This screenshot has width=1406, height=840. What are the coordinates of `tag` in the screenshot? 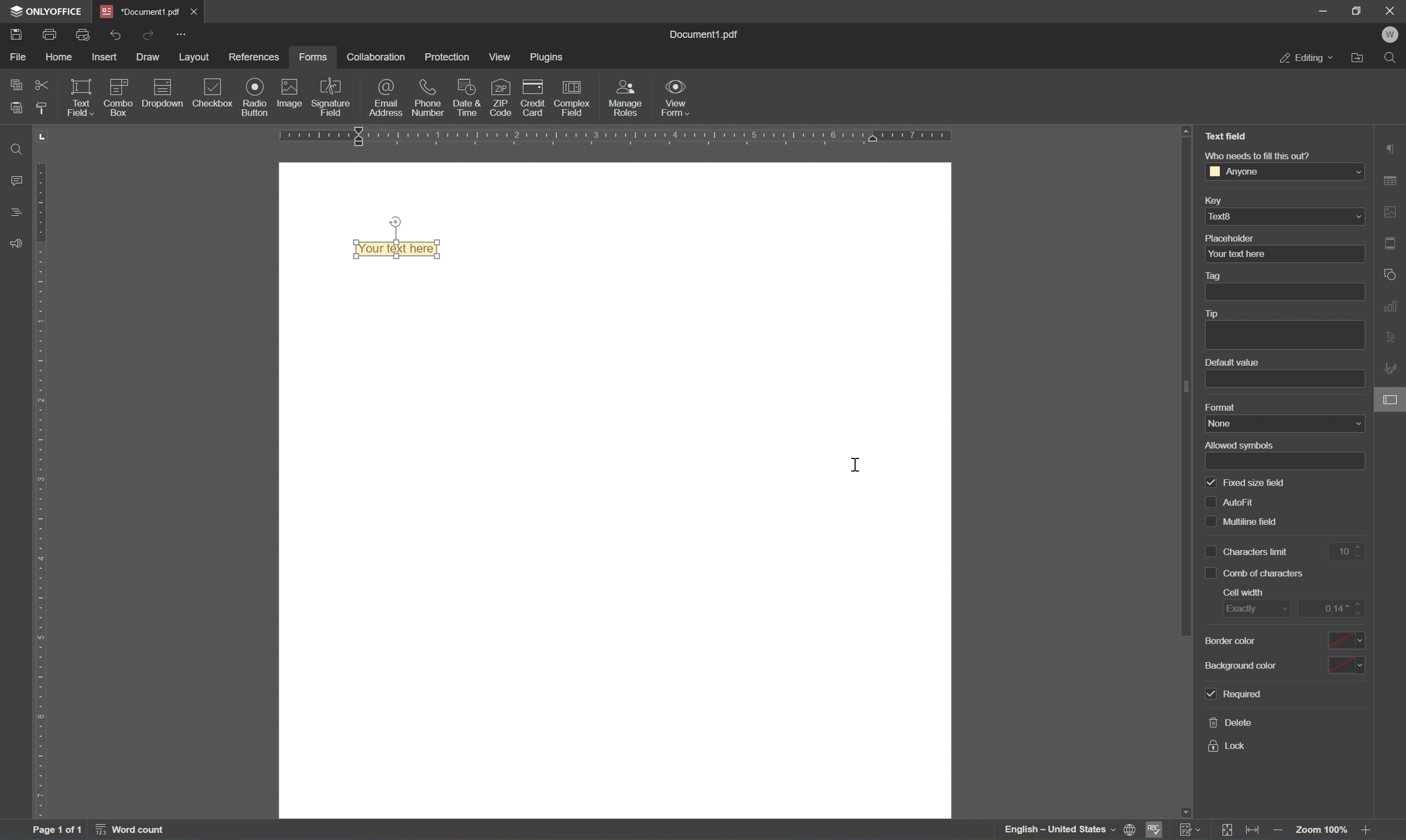 It's located at (1219, 275).